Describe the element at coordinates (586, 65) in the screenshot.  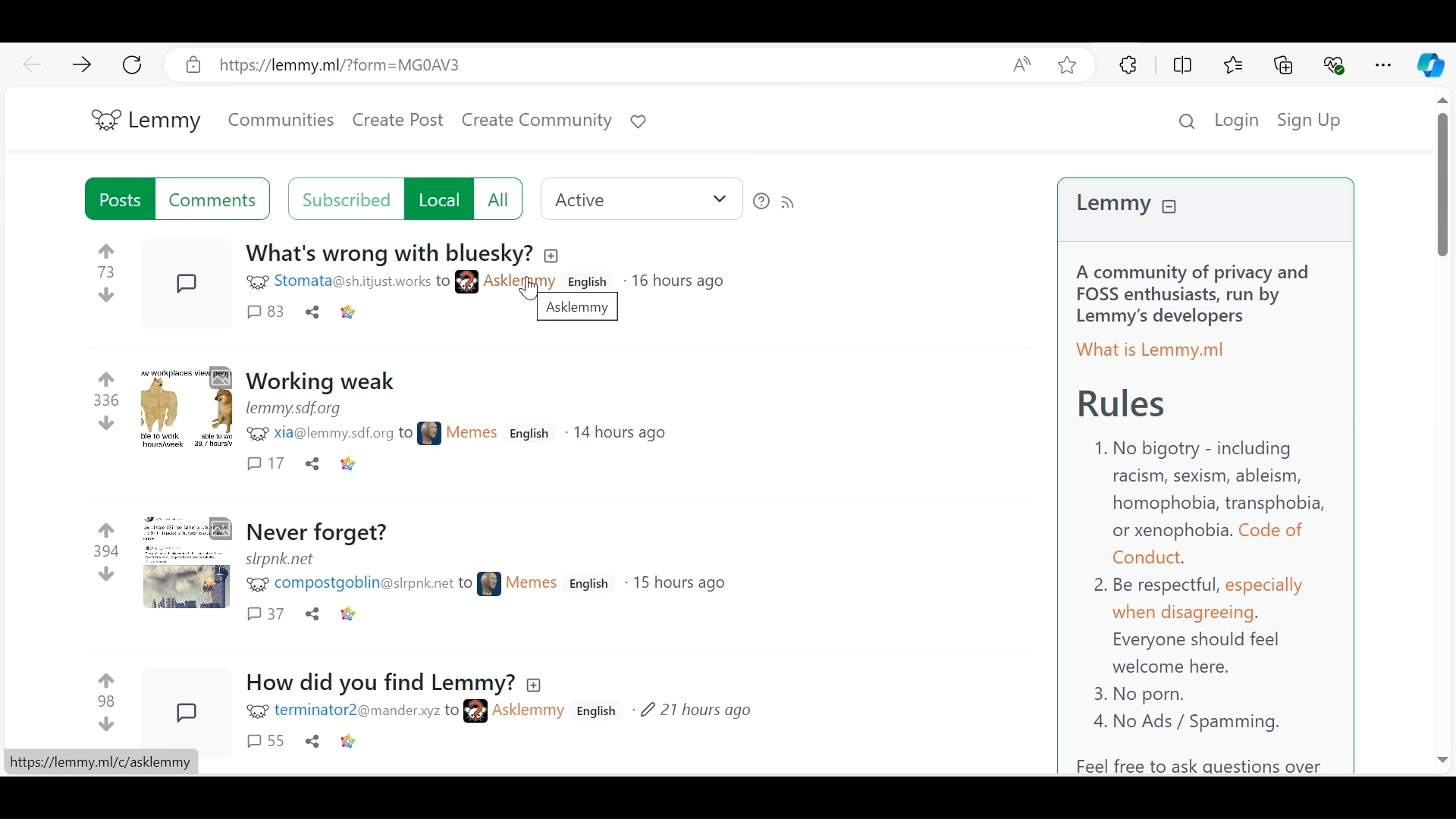
I see `Address bar` at that location.